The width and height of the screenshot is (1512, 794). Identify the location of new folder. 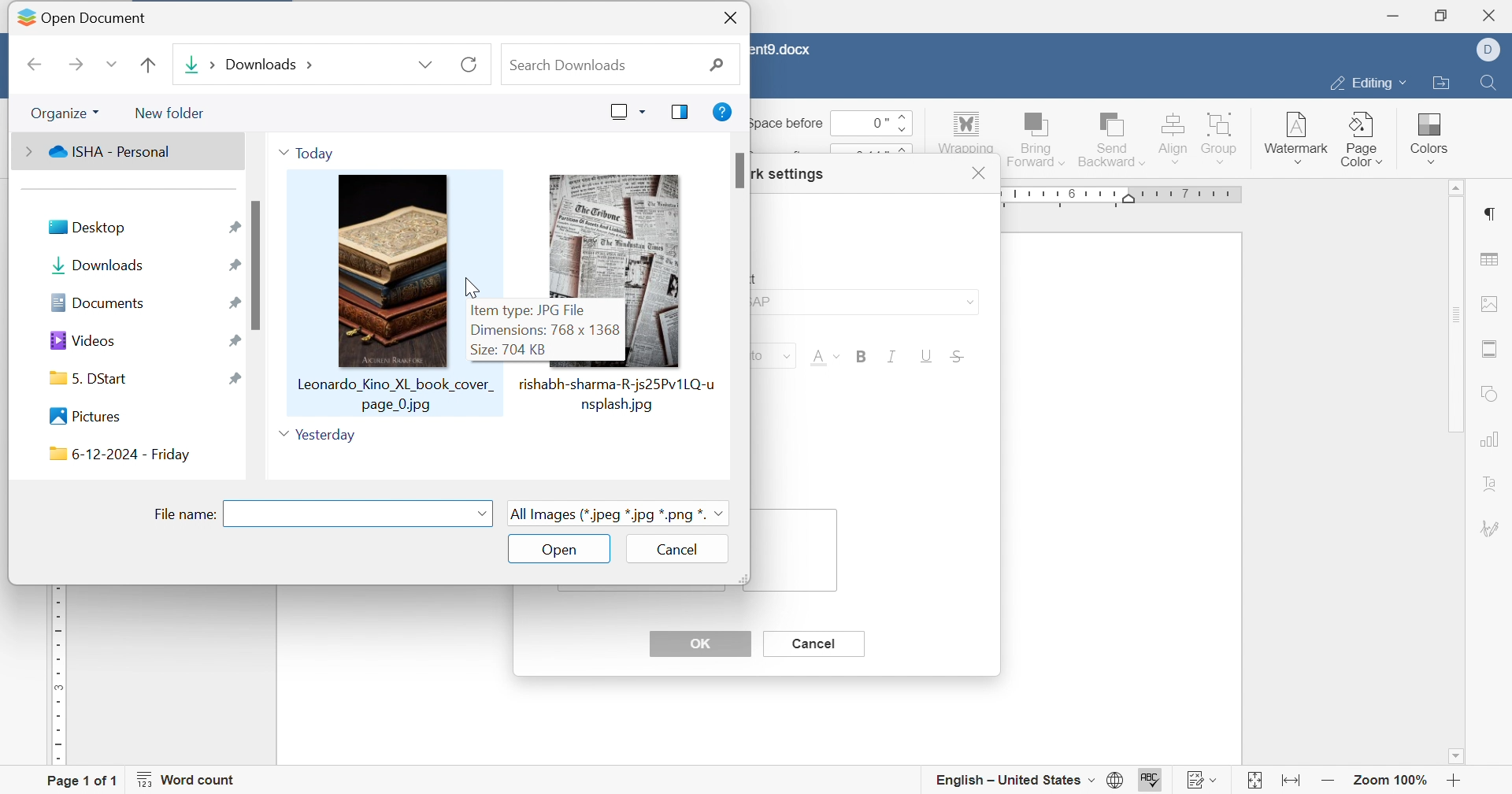
(171, 114).